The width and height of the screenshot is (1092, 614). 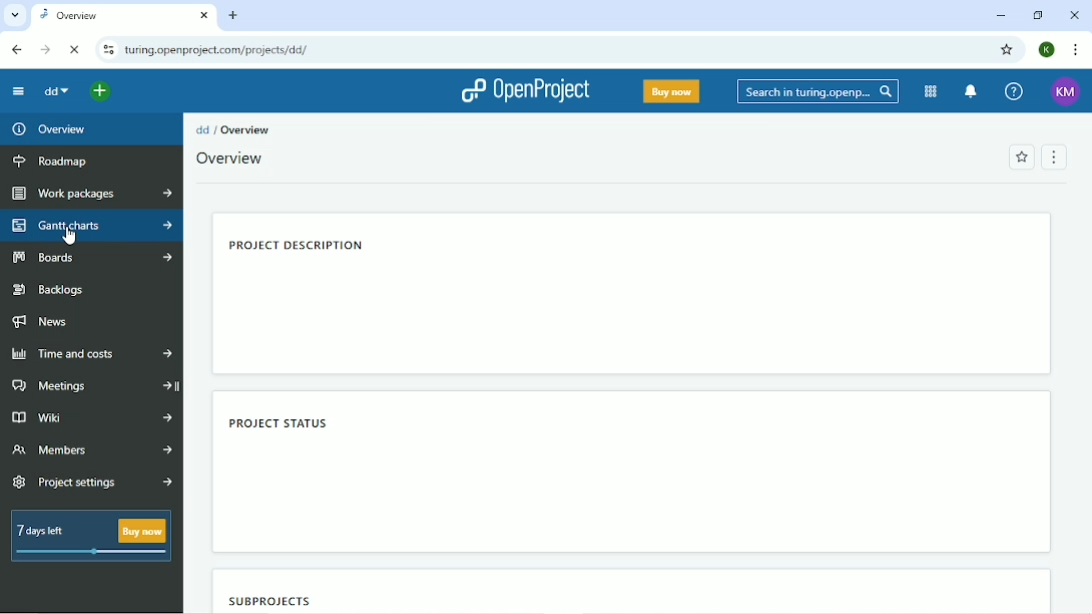 I want to click on turing.openproject.com, so click(x=252, y=131).